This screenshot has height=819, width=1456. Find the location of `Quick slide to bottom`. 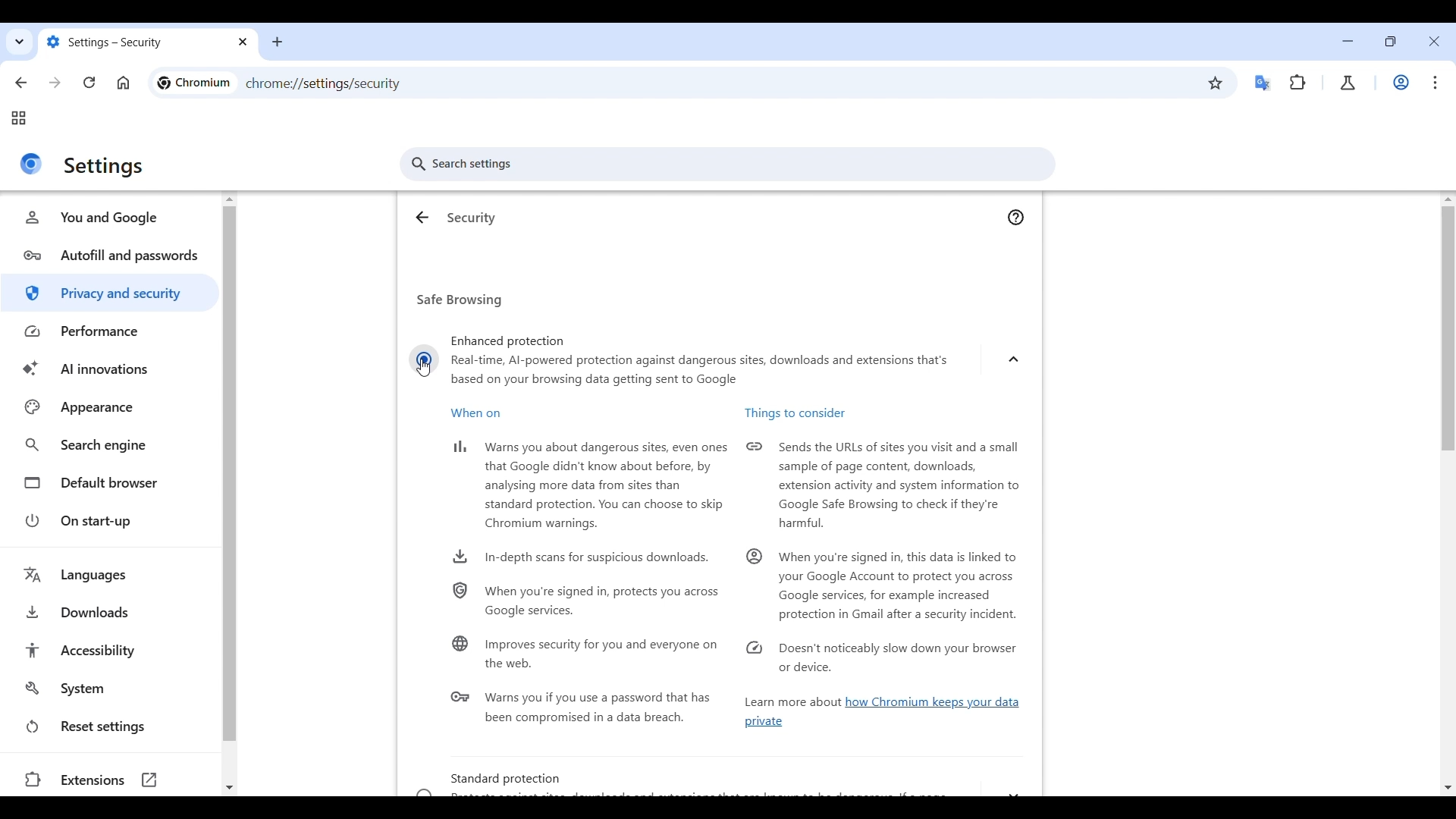

Quick slide to bottom is located at coordinates (228, 789).